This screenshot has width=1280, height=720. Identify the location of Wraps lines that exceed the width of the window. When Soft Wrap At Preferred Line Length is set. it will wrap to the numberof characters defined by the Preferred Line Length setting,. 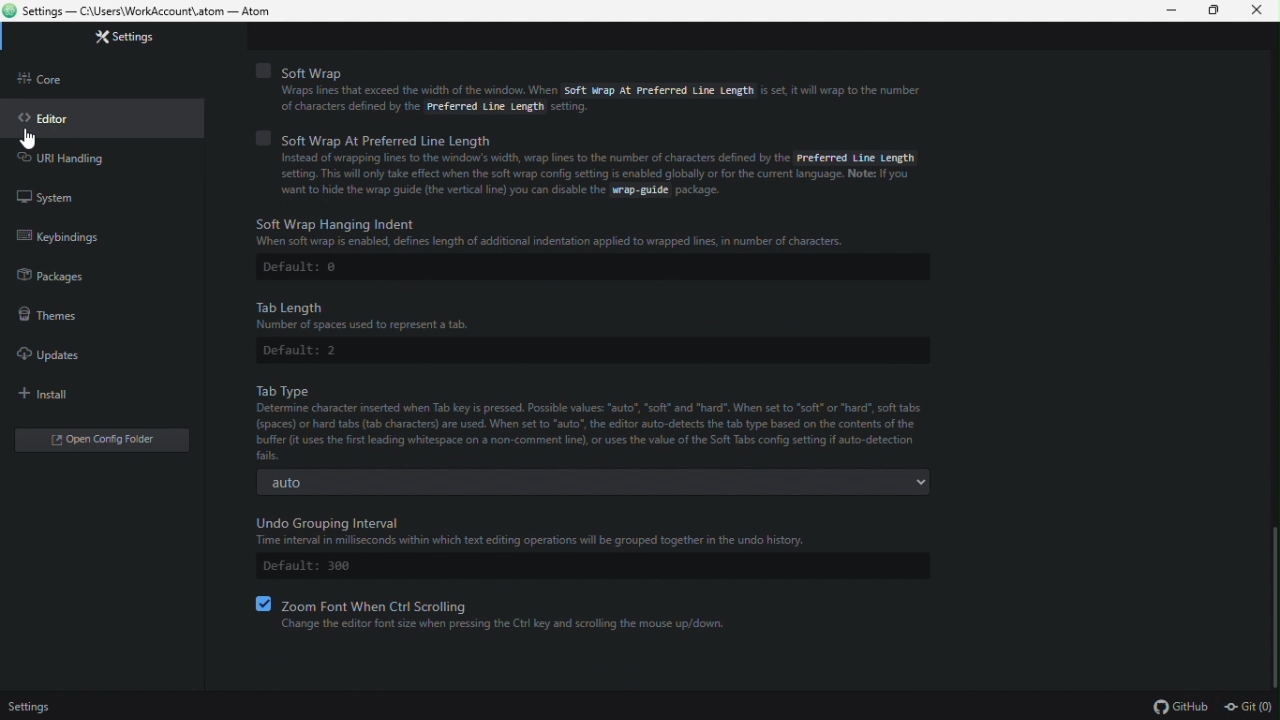
(628, 102).